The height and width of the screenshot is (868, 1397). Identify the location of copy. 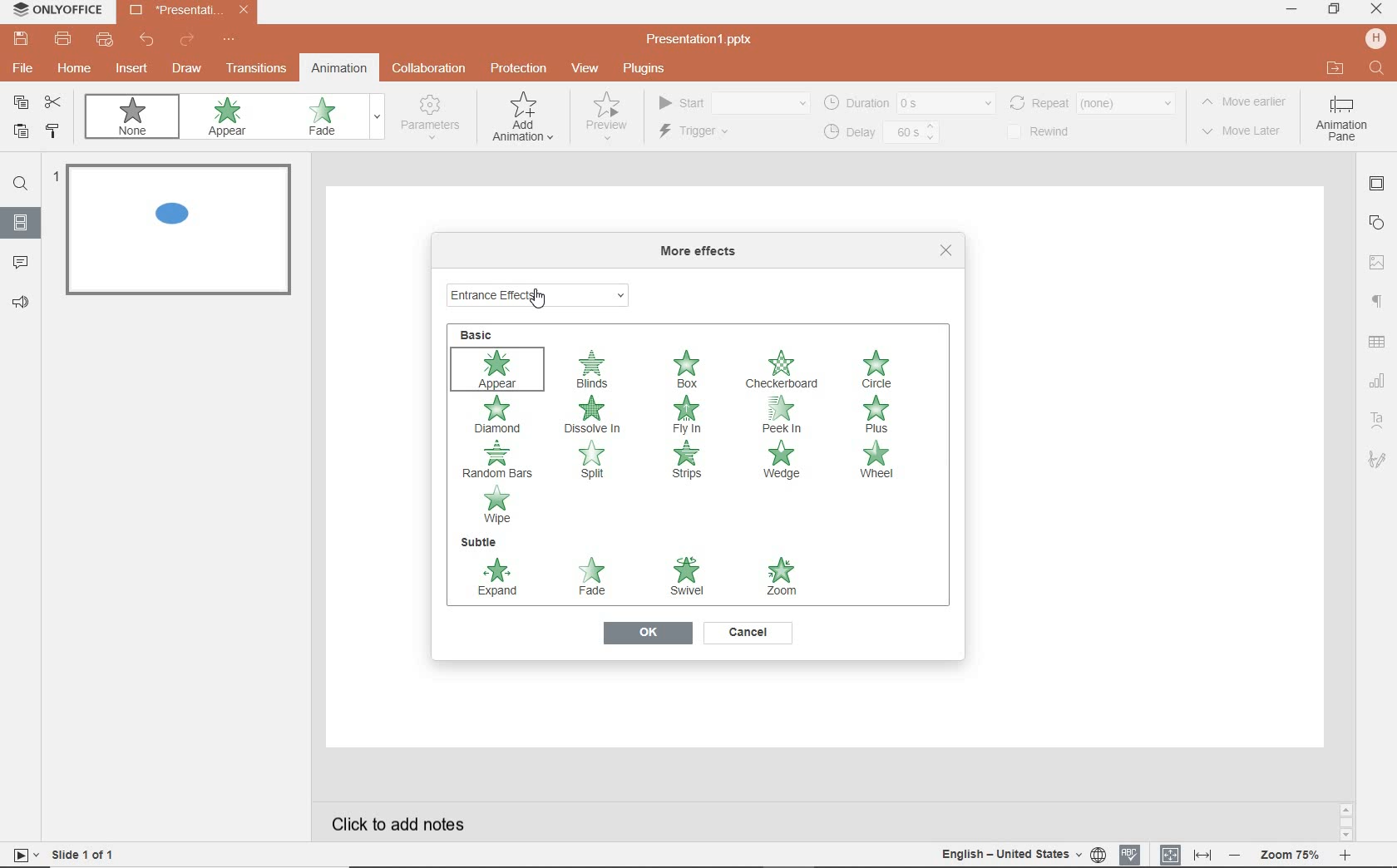
(22, 102).